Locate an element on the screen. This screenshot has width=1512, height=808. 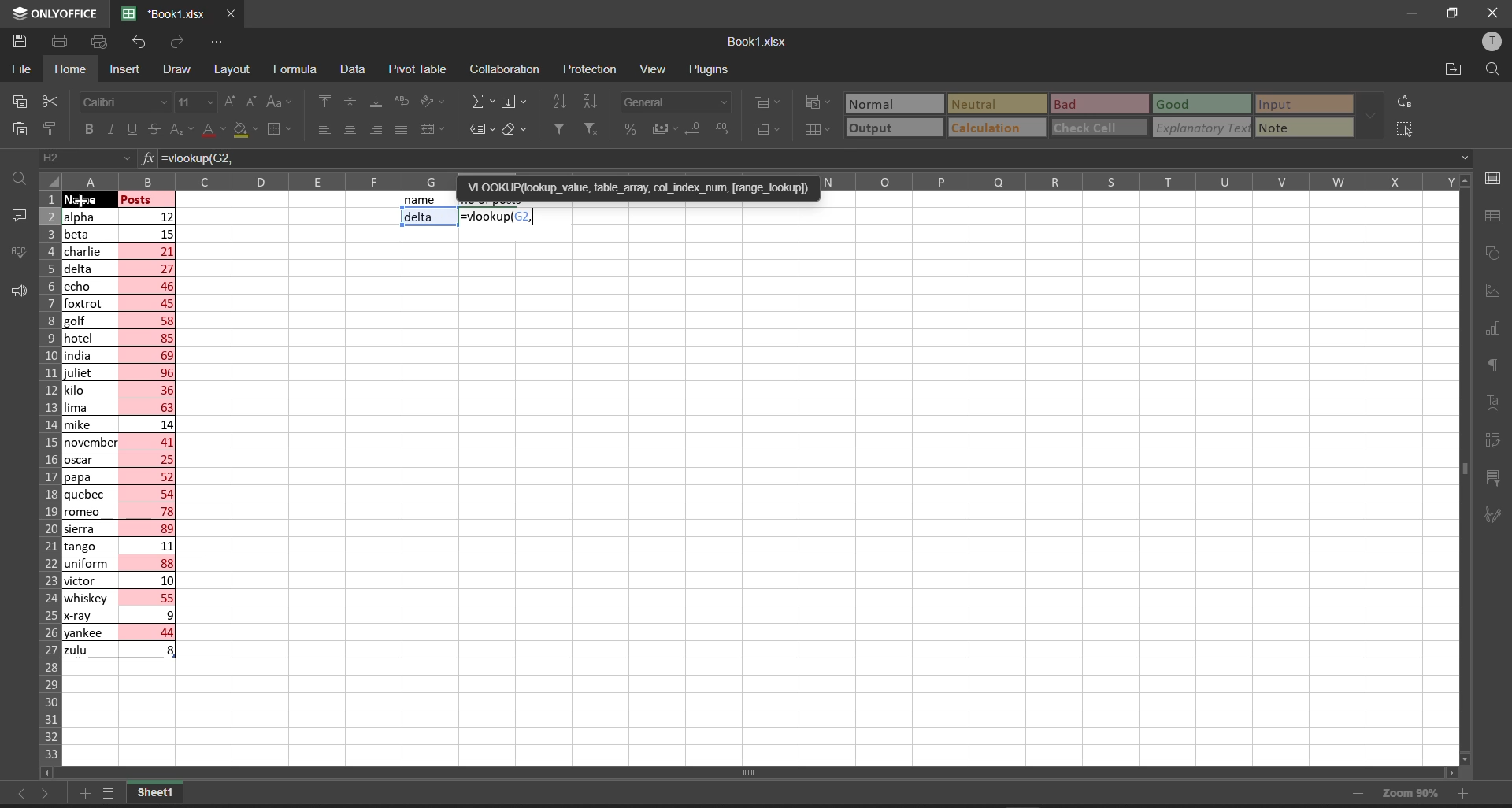
undo is located at coordinates (138, 45).